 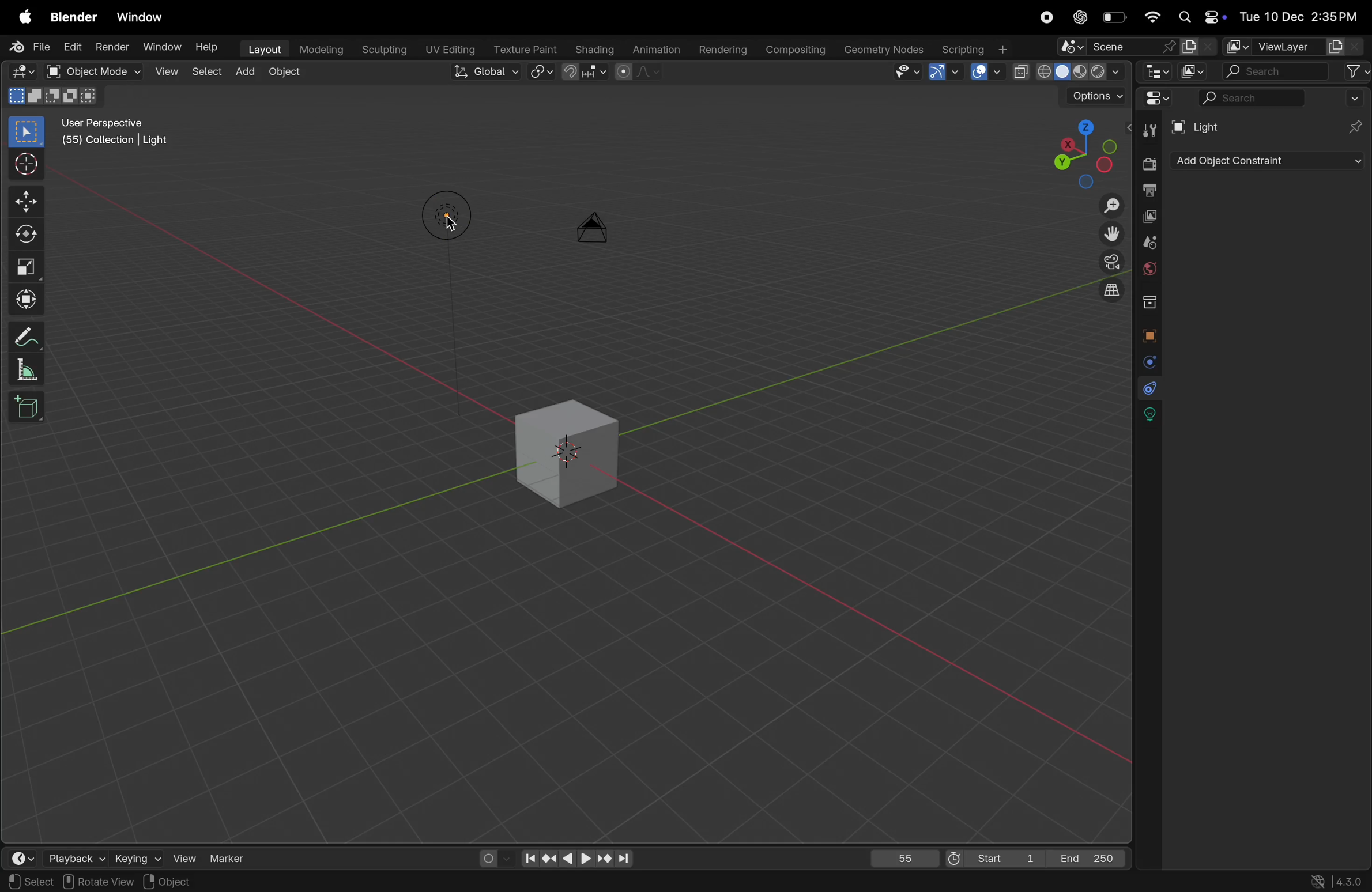 What do you see at coordinates (26, 371) in the screenshot?
I see `scale` at bounding box center [26, 371].